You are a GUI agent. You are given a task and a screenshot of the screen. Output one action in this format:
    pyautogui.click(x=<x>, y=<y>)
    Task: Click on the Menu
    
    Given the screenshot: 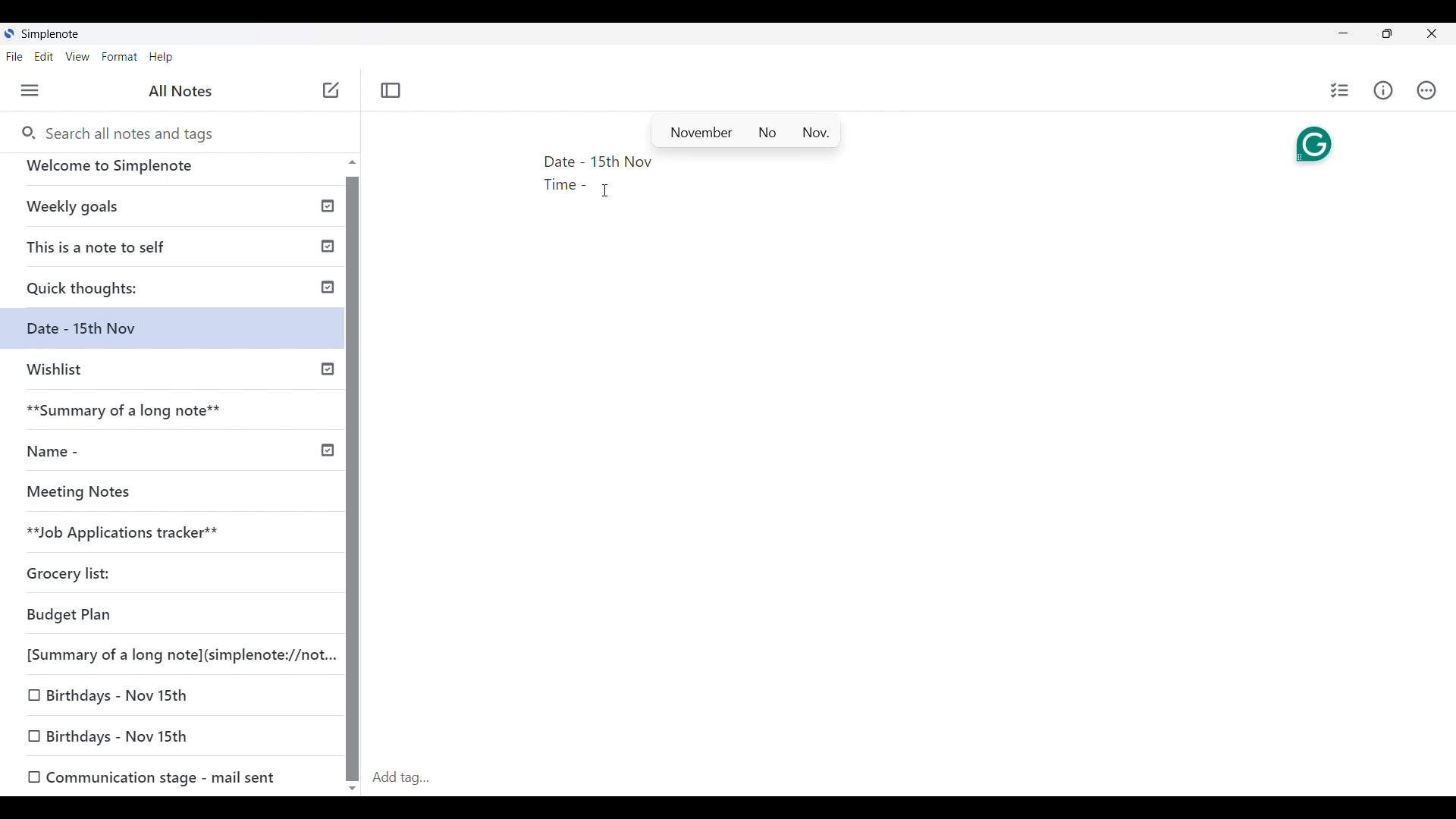 What is the action you would take?
    pyautogui.click(x=30, y=90)
    